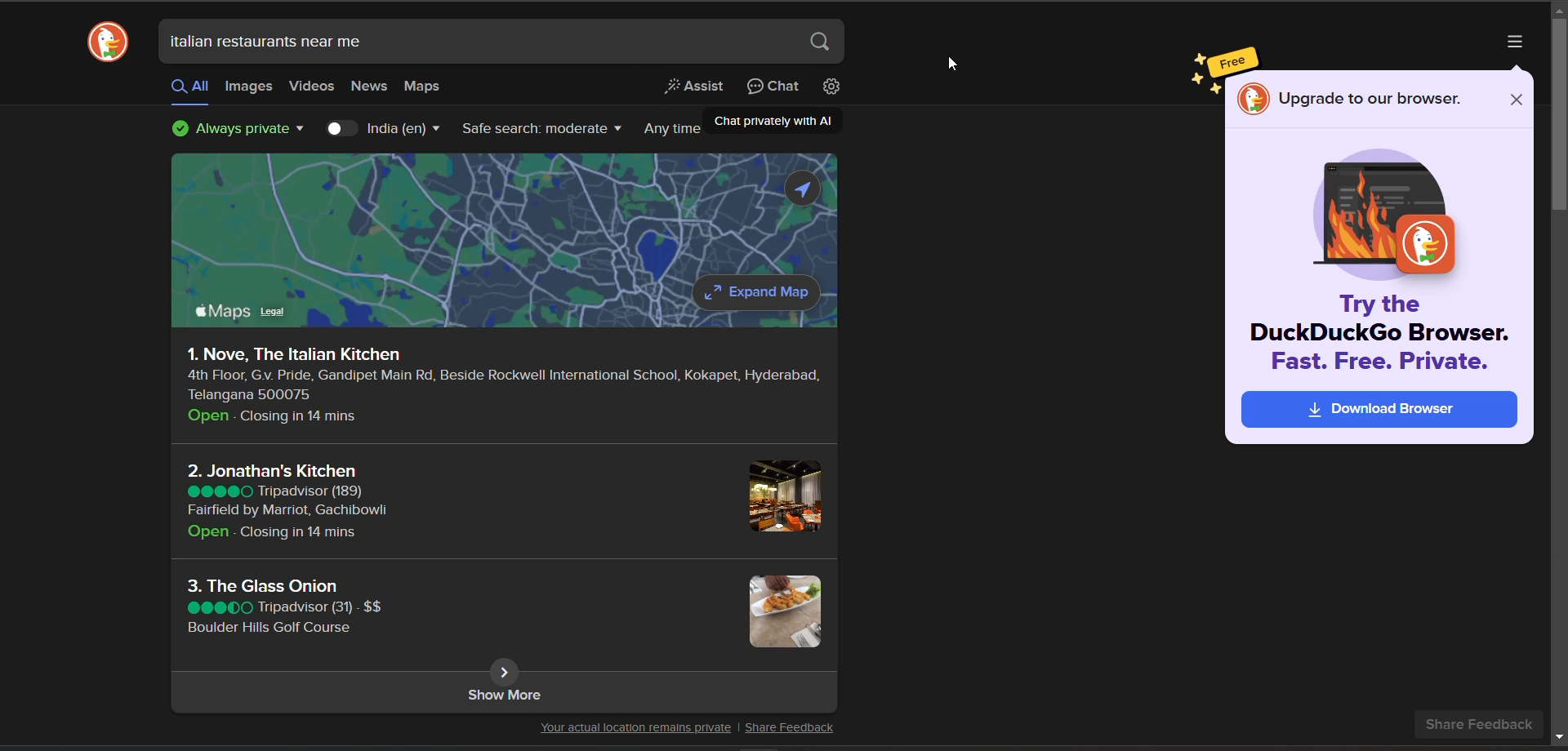 Image resolution: width=1568 pixels, height=751 pixels. Describe the element at coordinates (320, 607) in the screenshot. I see `Tripadvisor (31) - $$` at that location.